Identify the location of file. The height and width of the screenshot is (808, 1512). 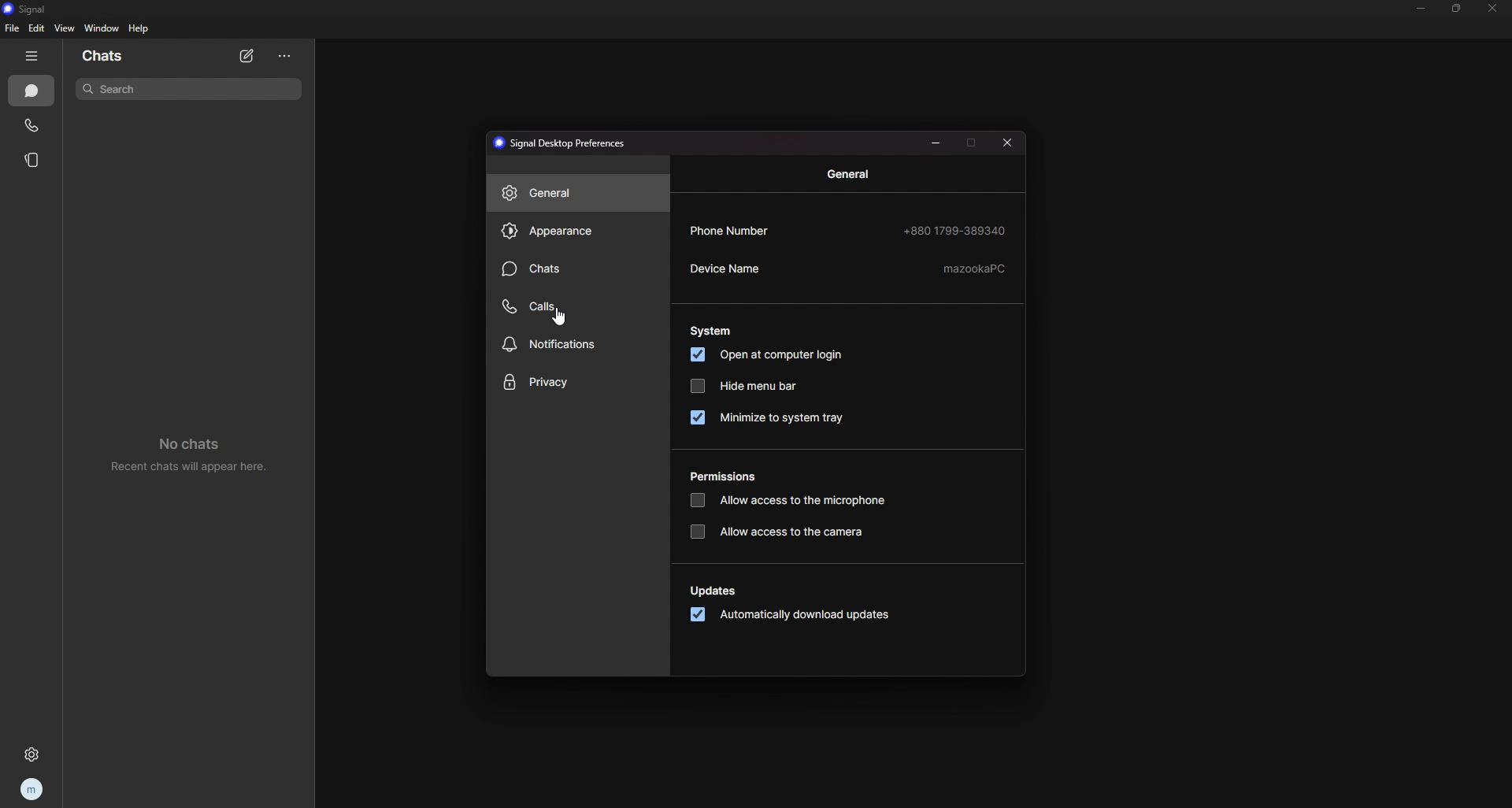
(13, 28).